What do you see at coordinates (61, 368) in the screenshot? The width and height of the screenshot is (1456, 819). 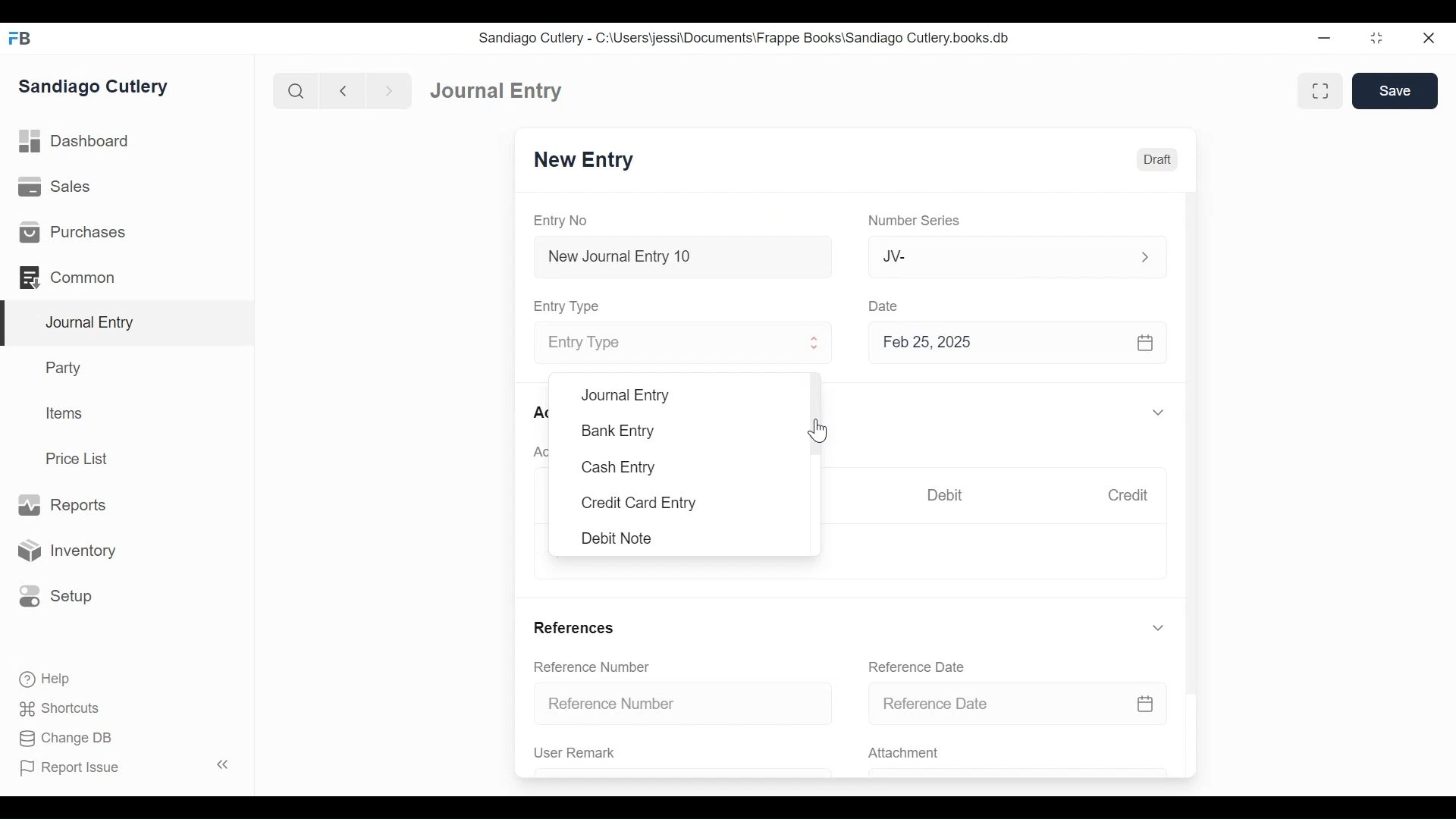 I see `Party` at bounding box center [61, 368].